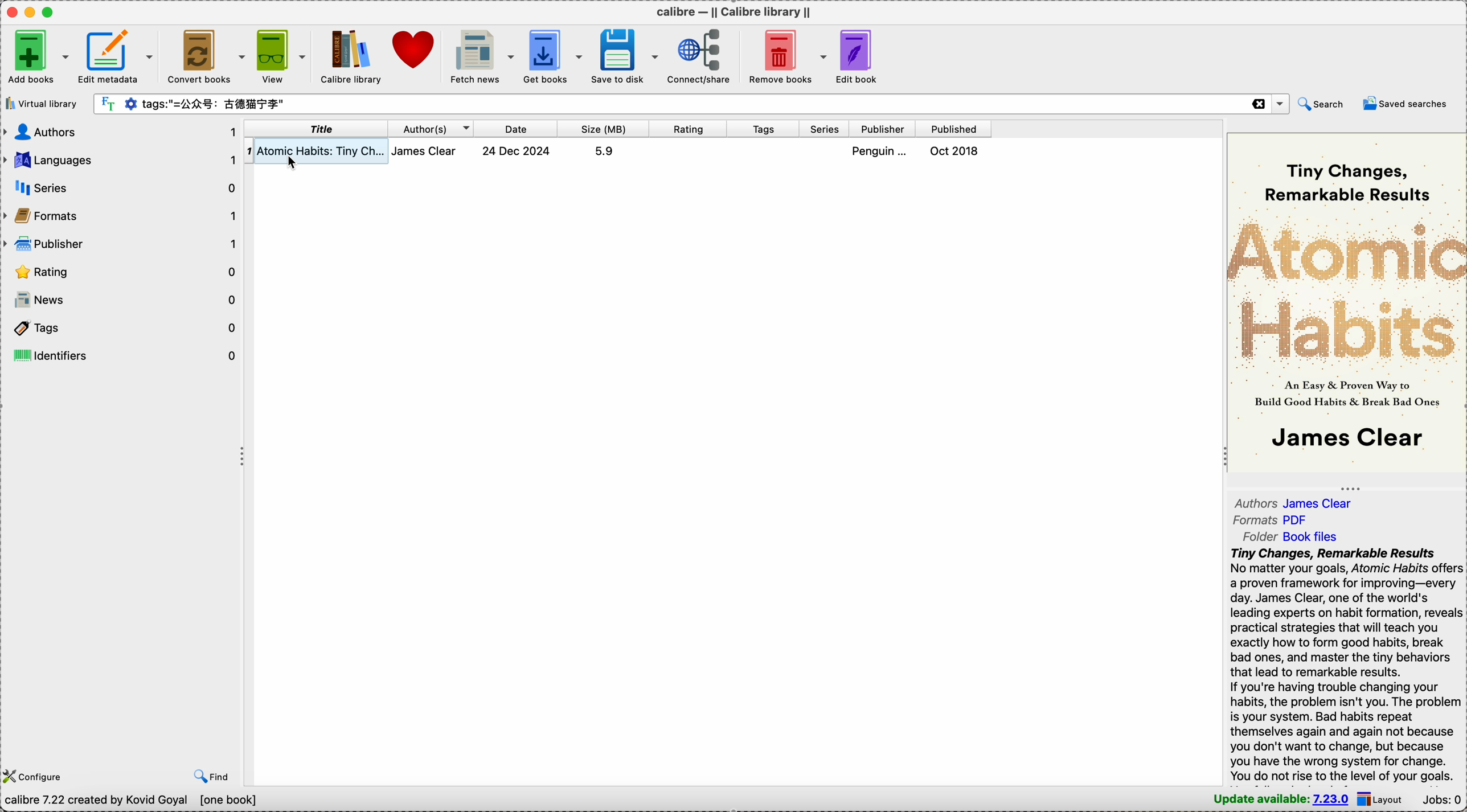 The height and width of the screenshot is (812, 1467). Describe the element at coordinates (122, 242) in the screenshot. I see `publisher` at that location.